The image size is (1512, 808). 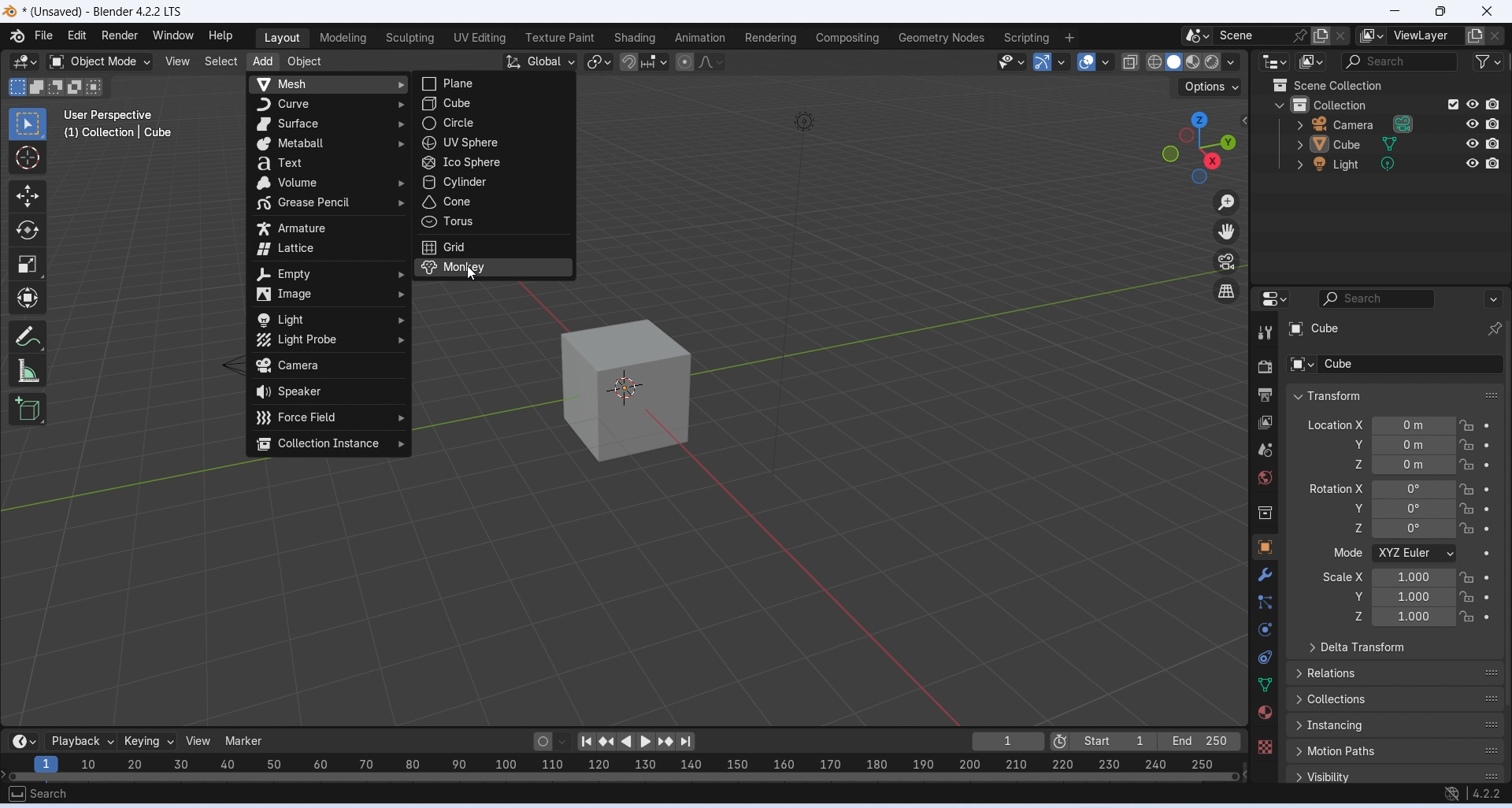 What do you see at coordinates (1013, 61) in the screenshot?
I see `selectiblity and visibility` at bounding box center [1013, 61].